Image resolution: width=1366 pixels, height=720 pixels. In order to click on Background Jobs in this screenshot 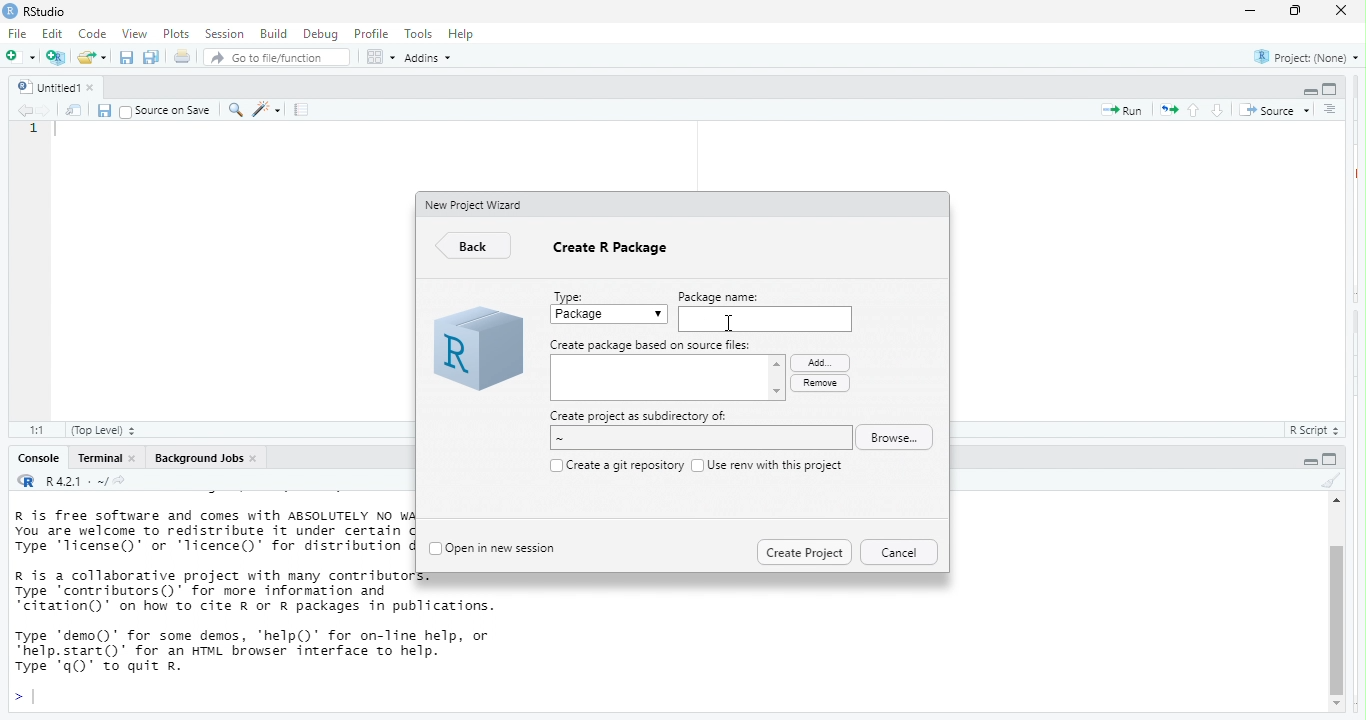, I will do `click(198, 459)`.